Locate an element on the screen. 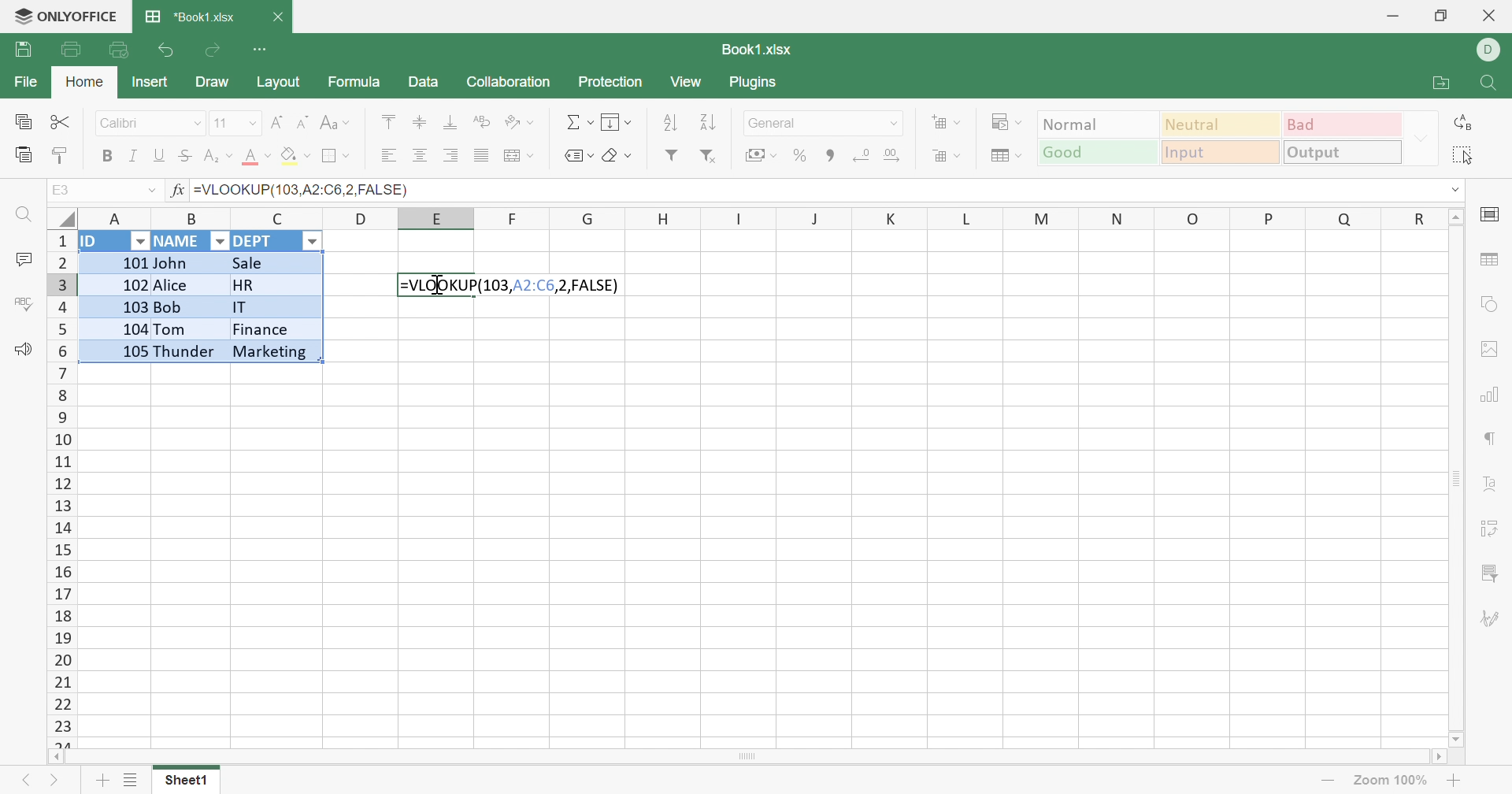 This screenshot has height=794, width=1512. image settings is located at coordinates (1490, 349).